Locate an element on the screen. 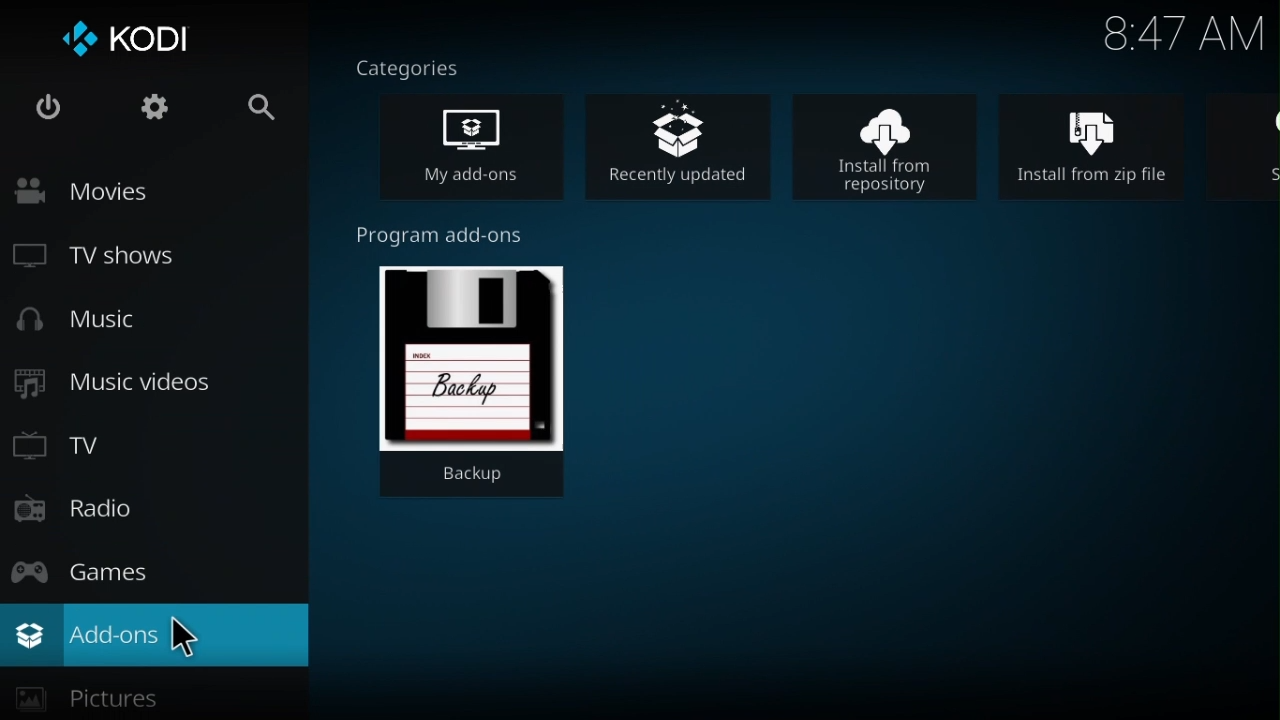 This screenshot has height=720, width=1280. Recently updated is located at coordinates (677, 142).